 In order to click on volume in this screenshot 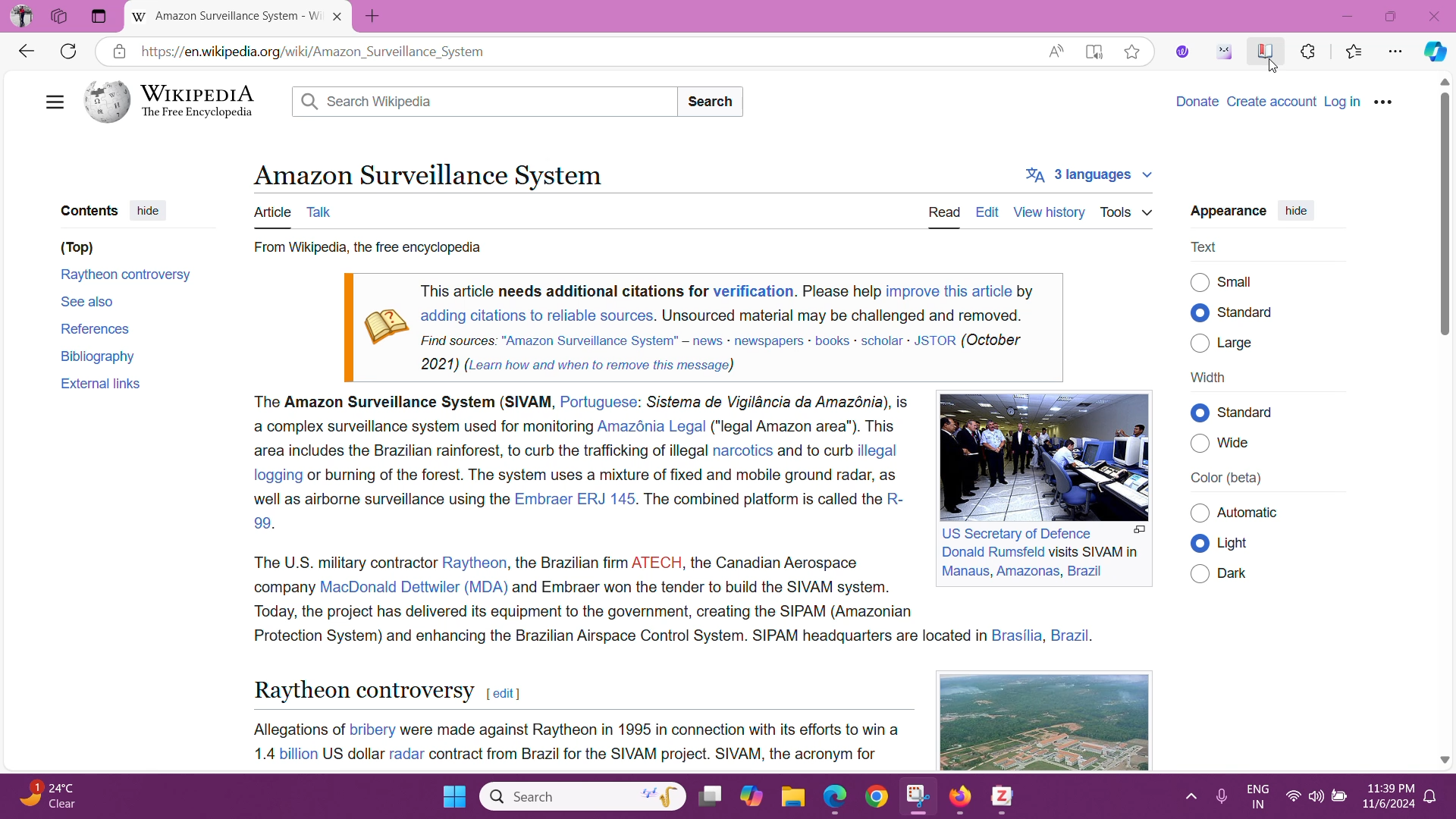, I will do `click(1314, 797)`.